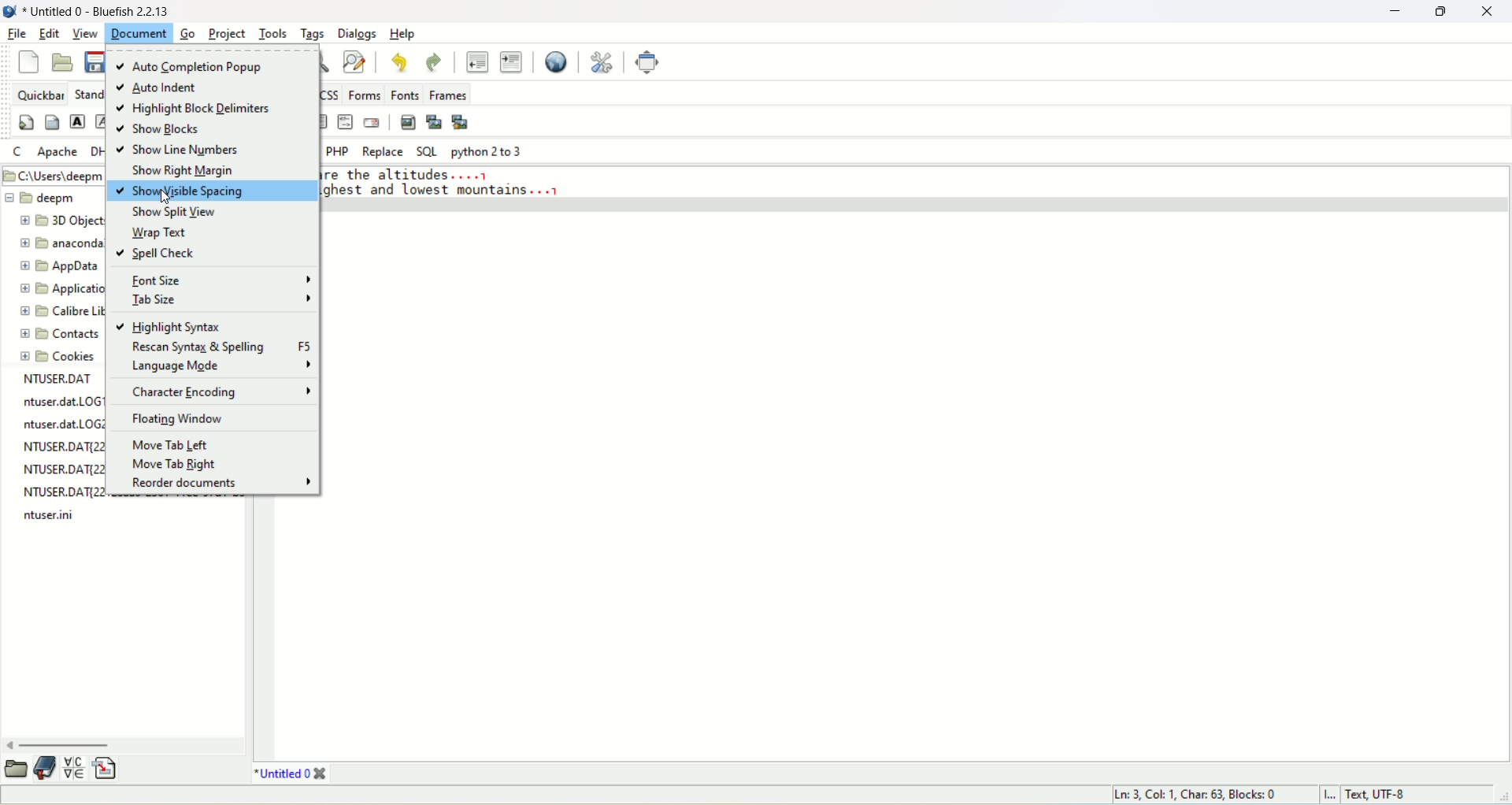 The height and width of the screenshot is (805, 1512). I want to click on email, so click(370, 121).